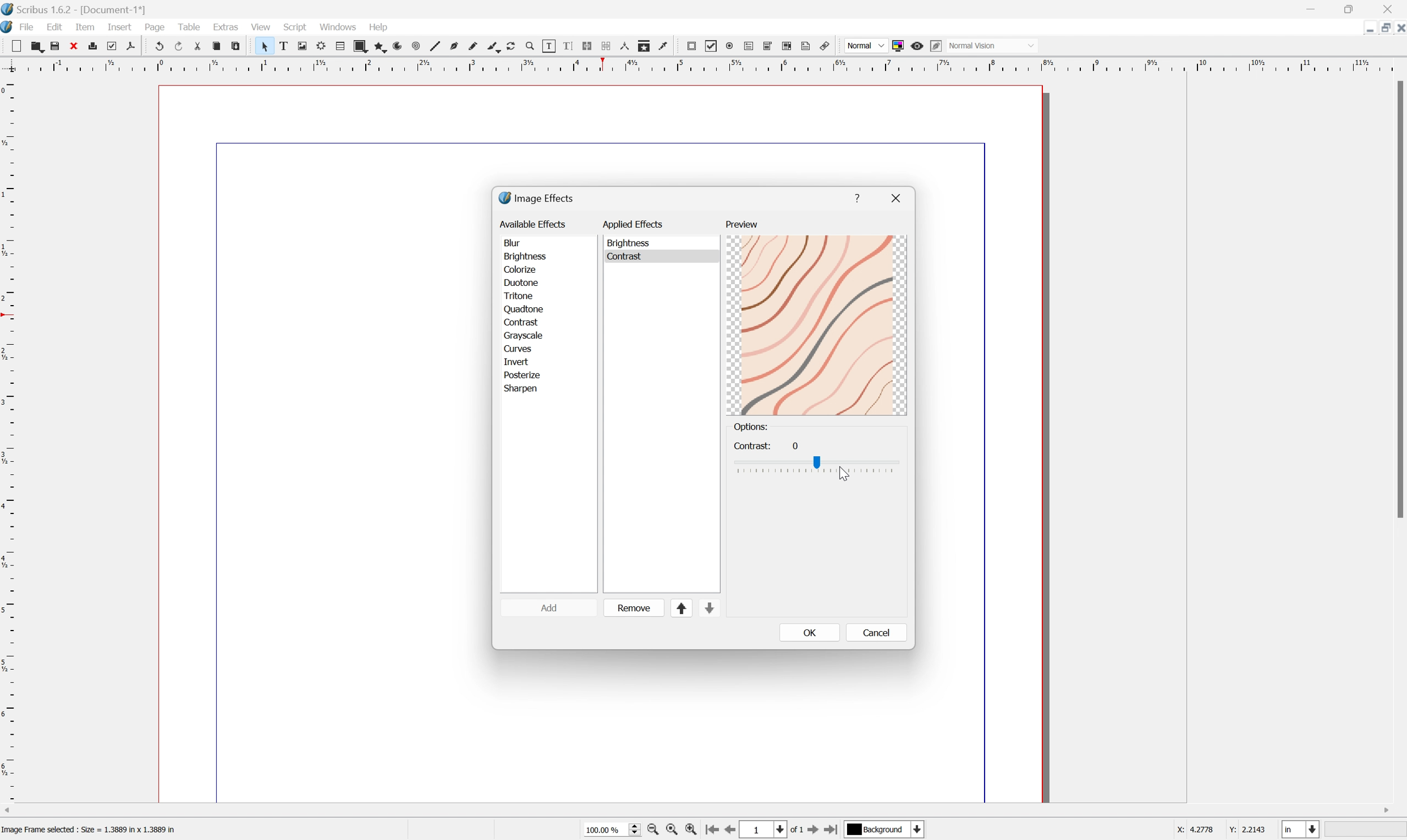  Describe the element at coordinates (9, 442) in the screenshot. I see `Vertical Margin` at that location.